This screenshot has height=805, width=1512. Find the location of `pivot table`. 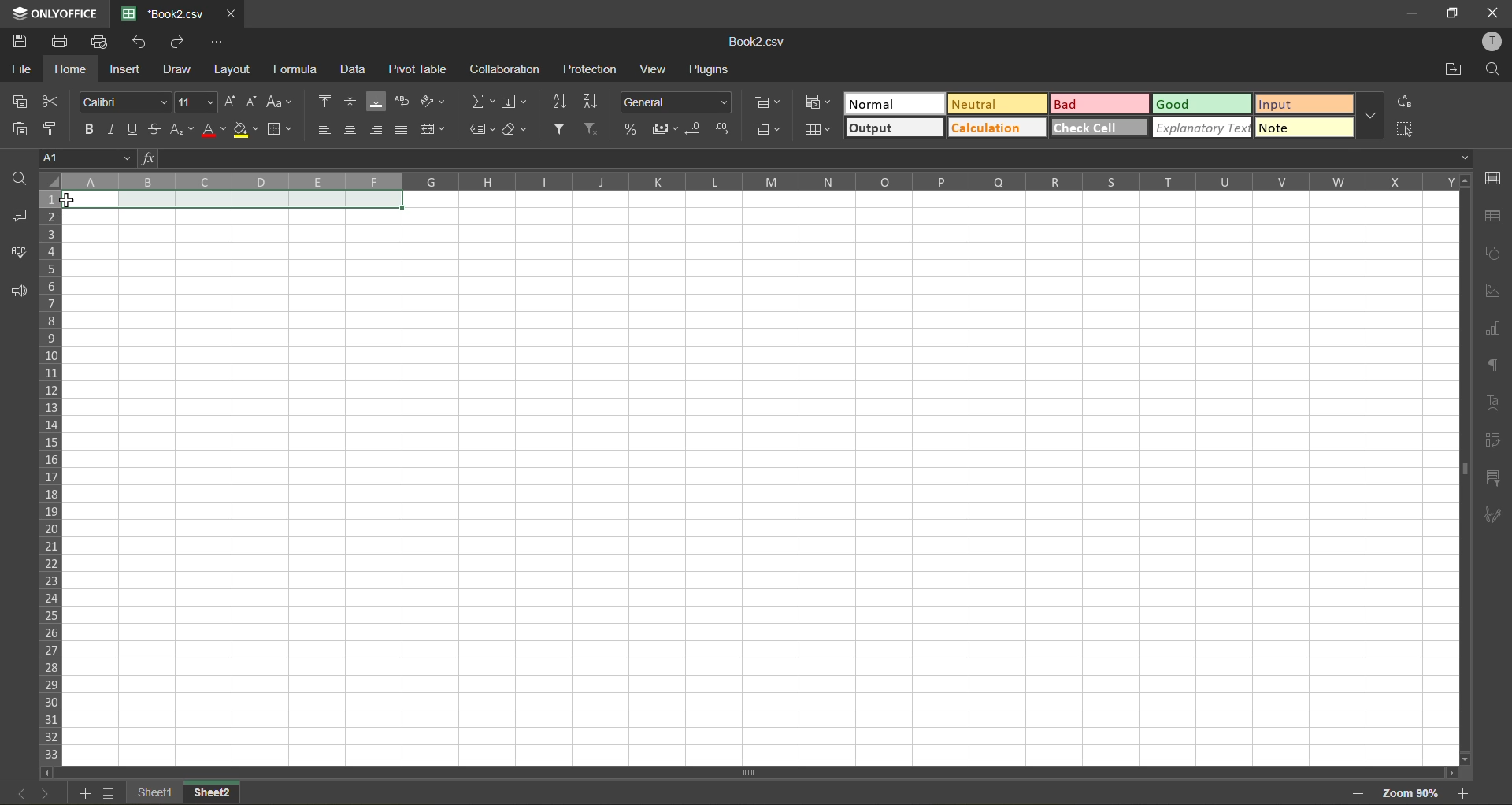

pivot table is located at coordinates (419, 73).